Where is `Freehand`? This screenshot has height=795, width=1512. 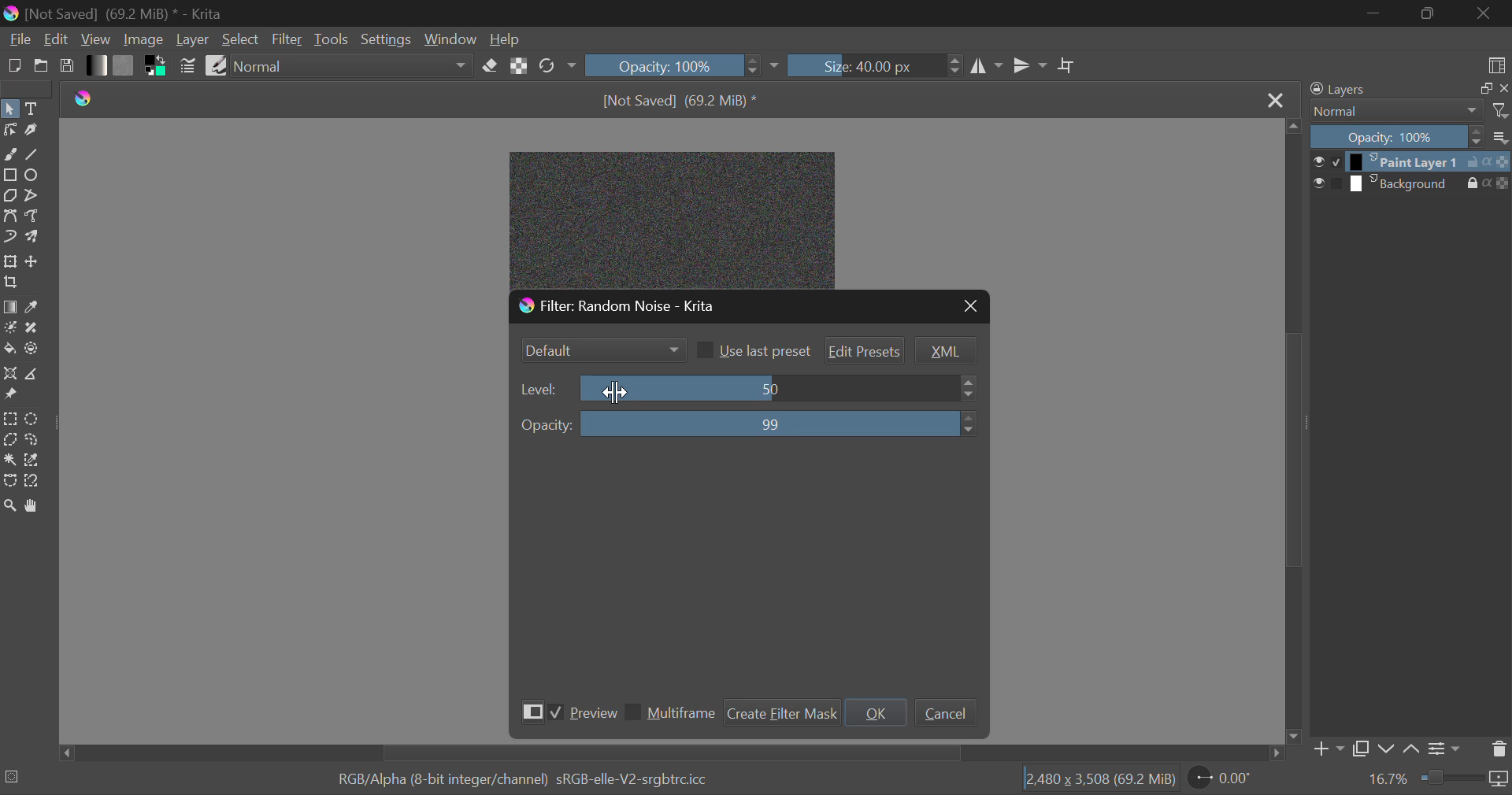 Freehand is located at coordinates (9, 154).